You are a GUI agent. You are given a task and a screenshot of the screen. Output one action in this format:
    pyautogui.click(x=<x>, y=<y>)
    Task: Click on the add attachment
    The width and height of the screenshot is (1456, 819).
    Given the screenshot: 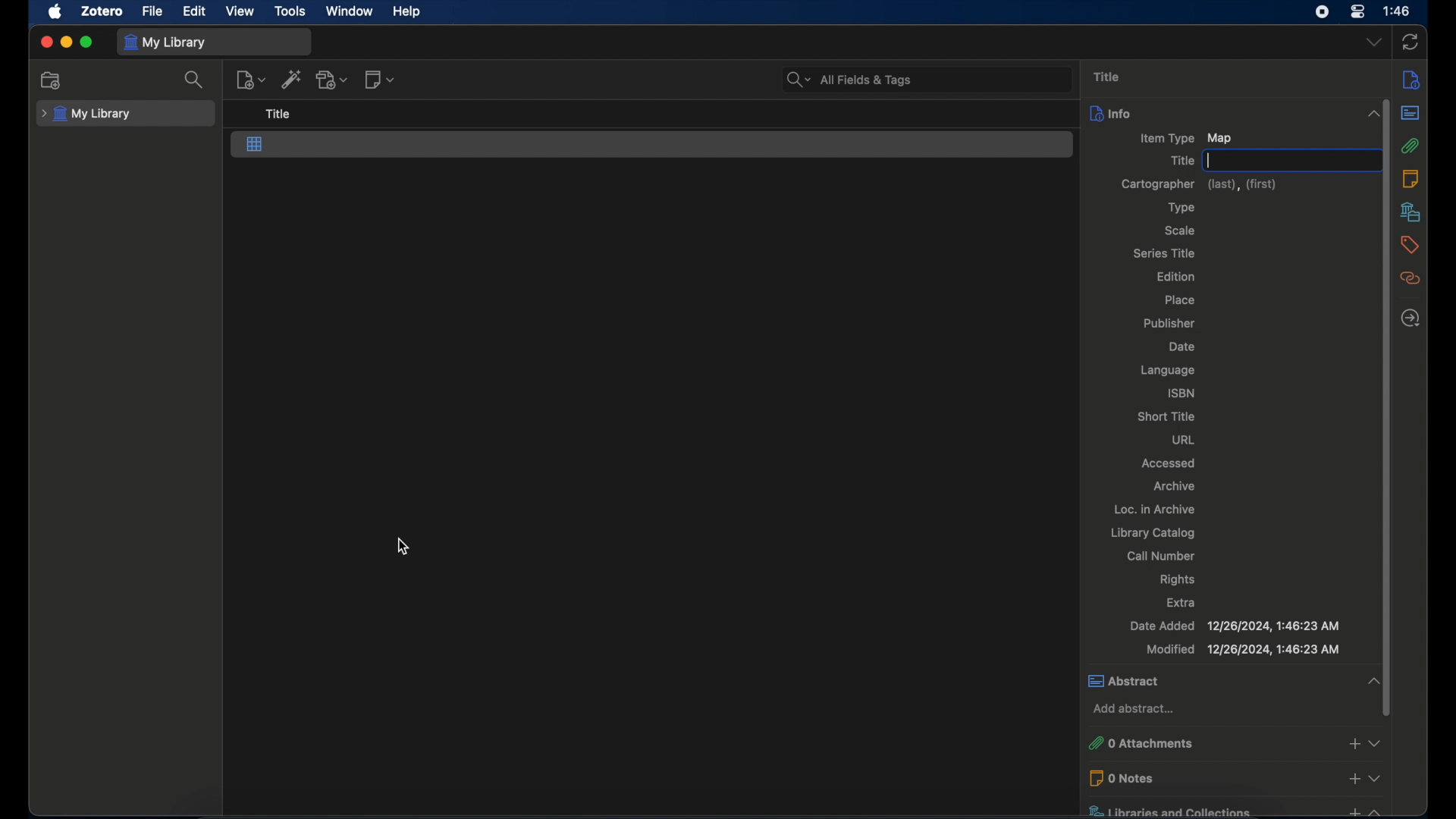 What is the action you would take?
    pyautogui.click(x=333, y=79)
    